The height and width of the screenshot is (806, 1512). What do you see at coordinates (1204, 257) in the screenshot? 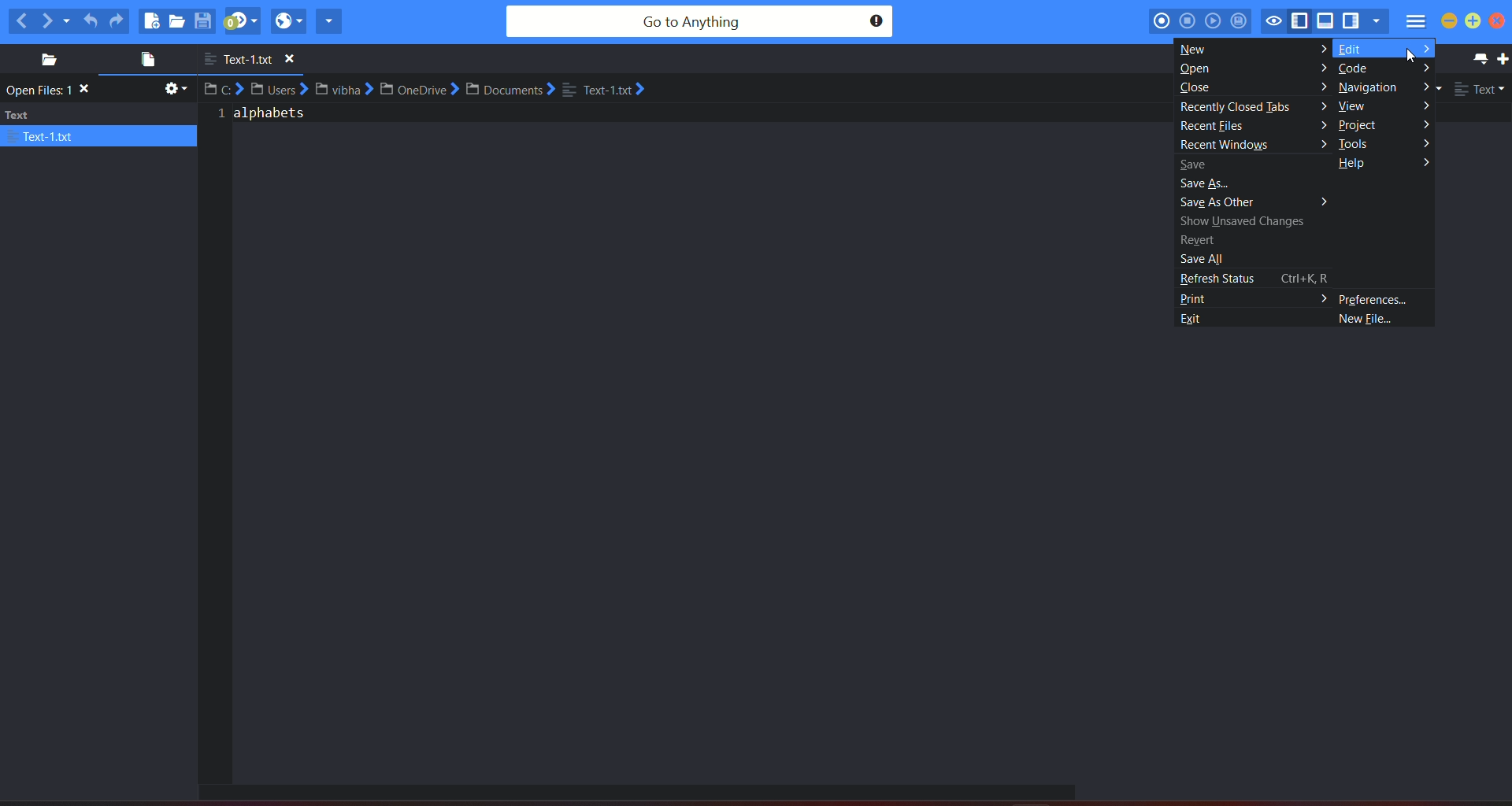
I see `Save All` at bounding box center [1204, 257].